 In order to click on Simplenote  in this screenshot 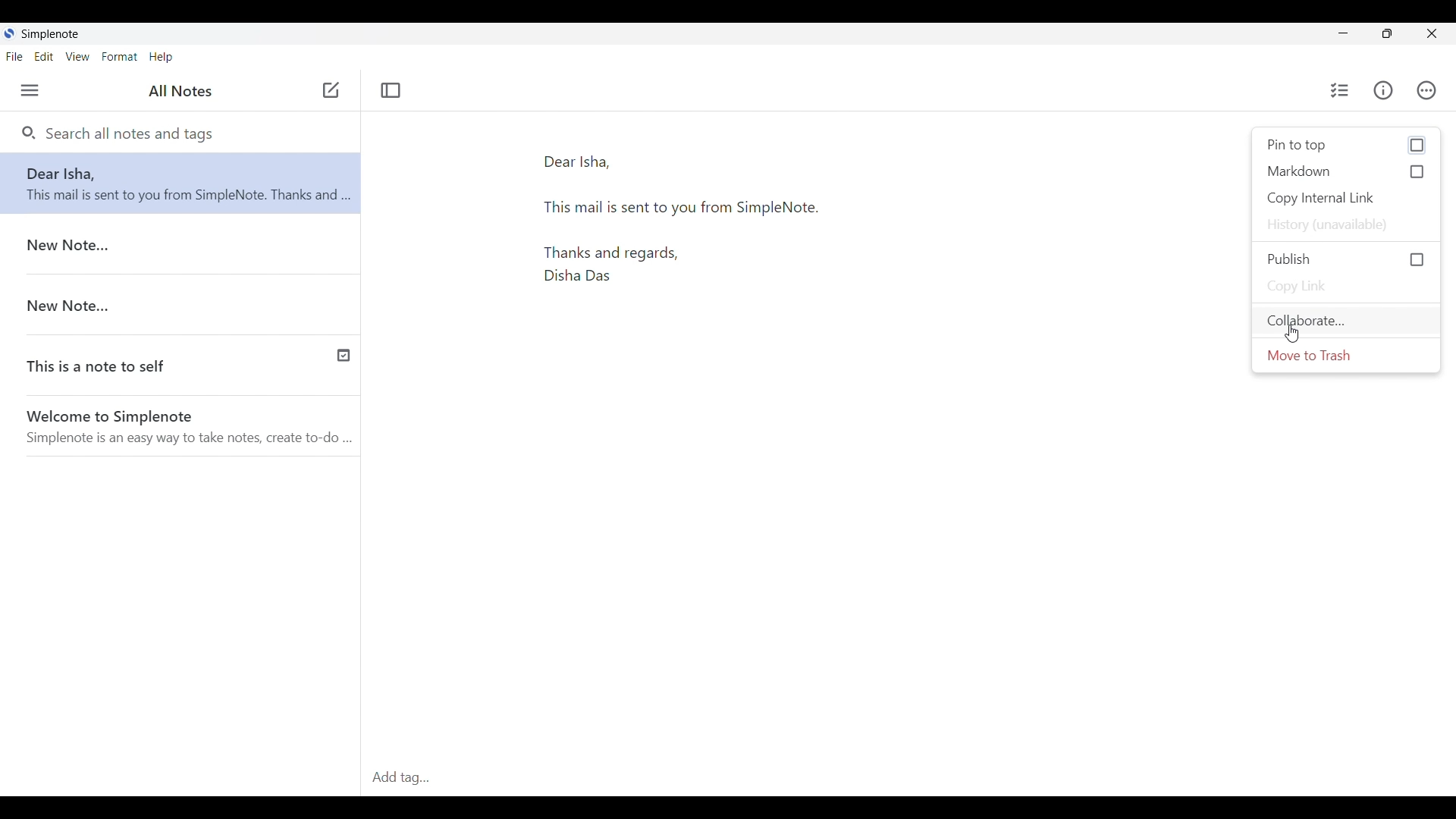, I will do `click(67, 35)`.